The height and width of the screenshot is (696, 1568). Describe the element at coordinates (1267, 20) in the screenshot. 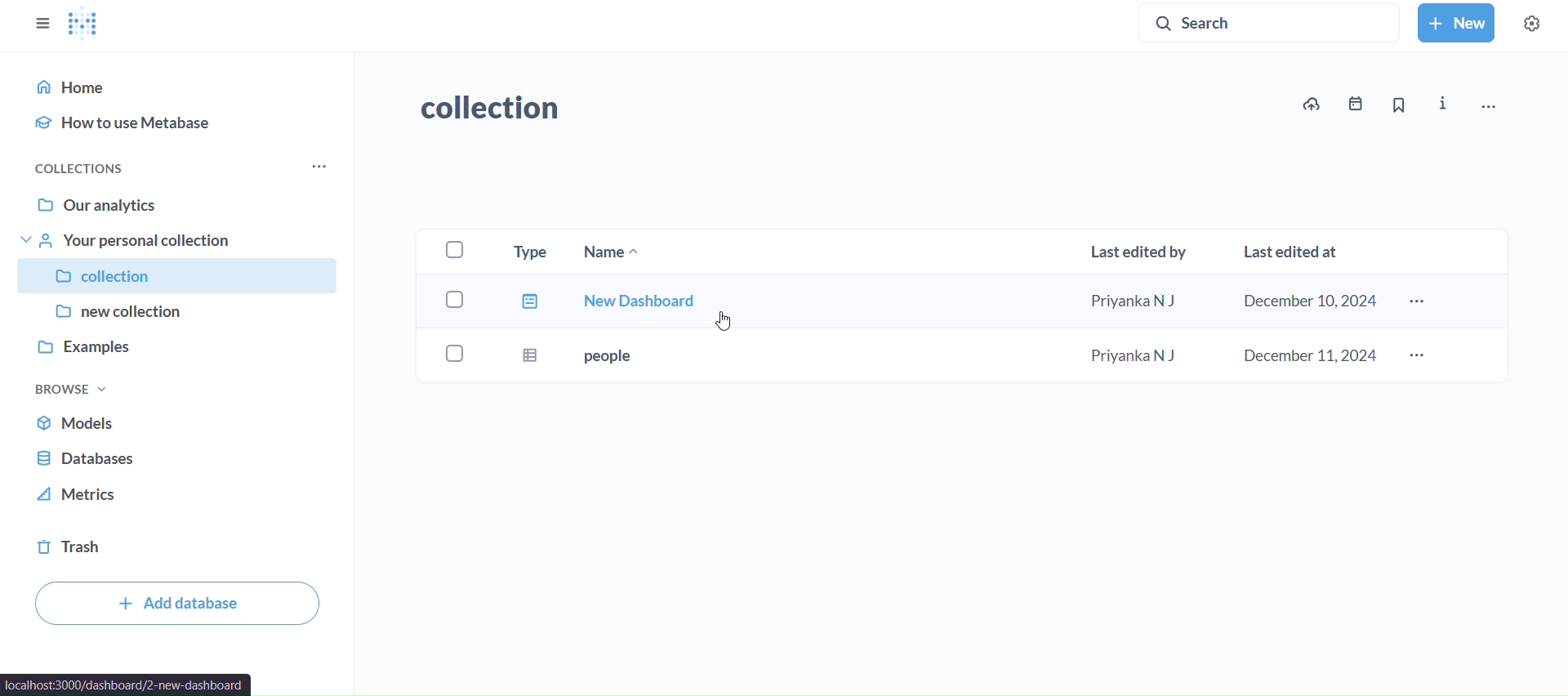

I see `search` at that location.